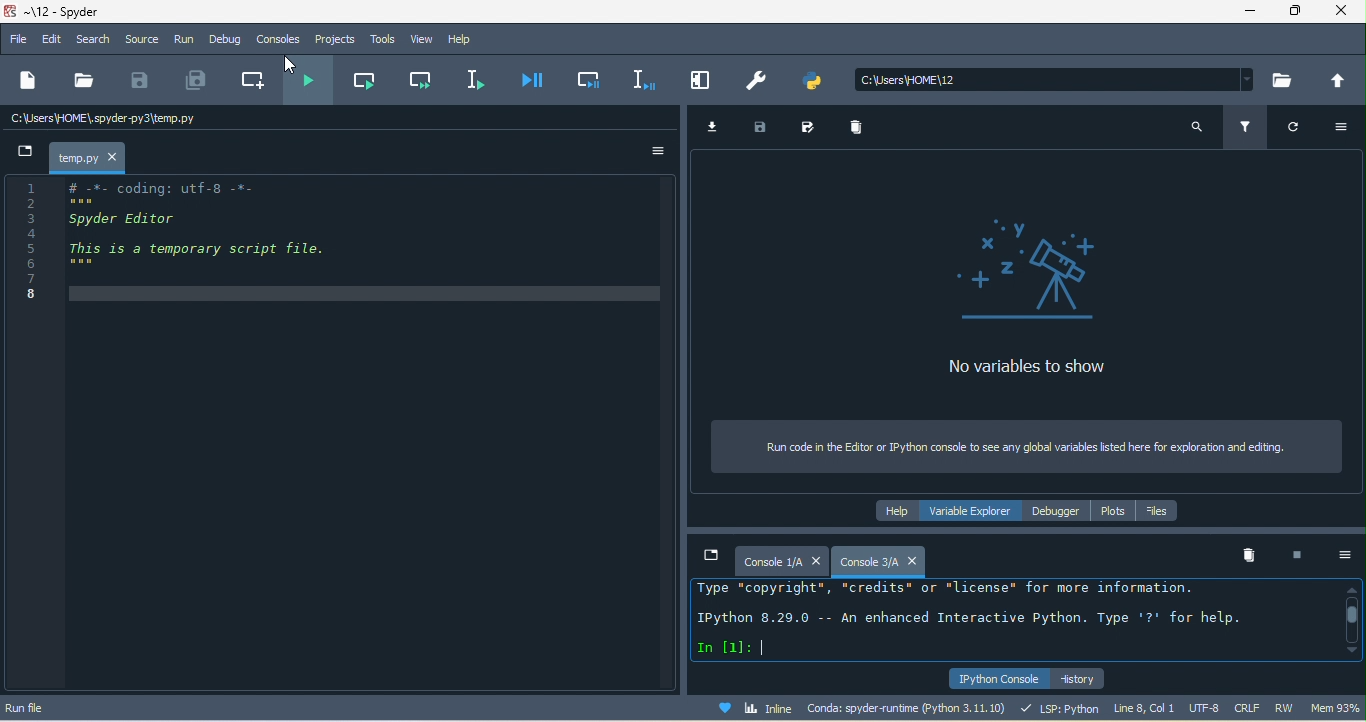  What do you see at coordinates (1057, 79) in the screenshot?
I see `search bar` at bounding box center [1057, 79].